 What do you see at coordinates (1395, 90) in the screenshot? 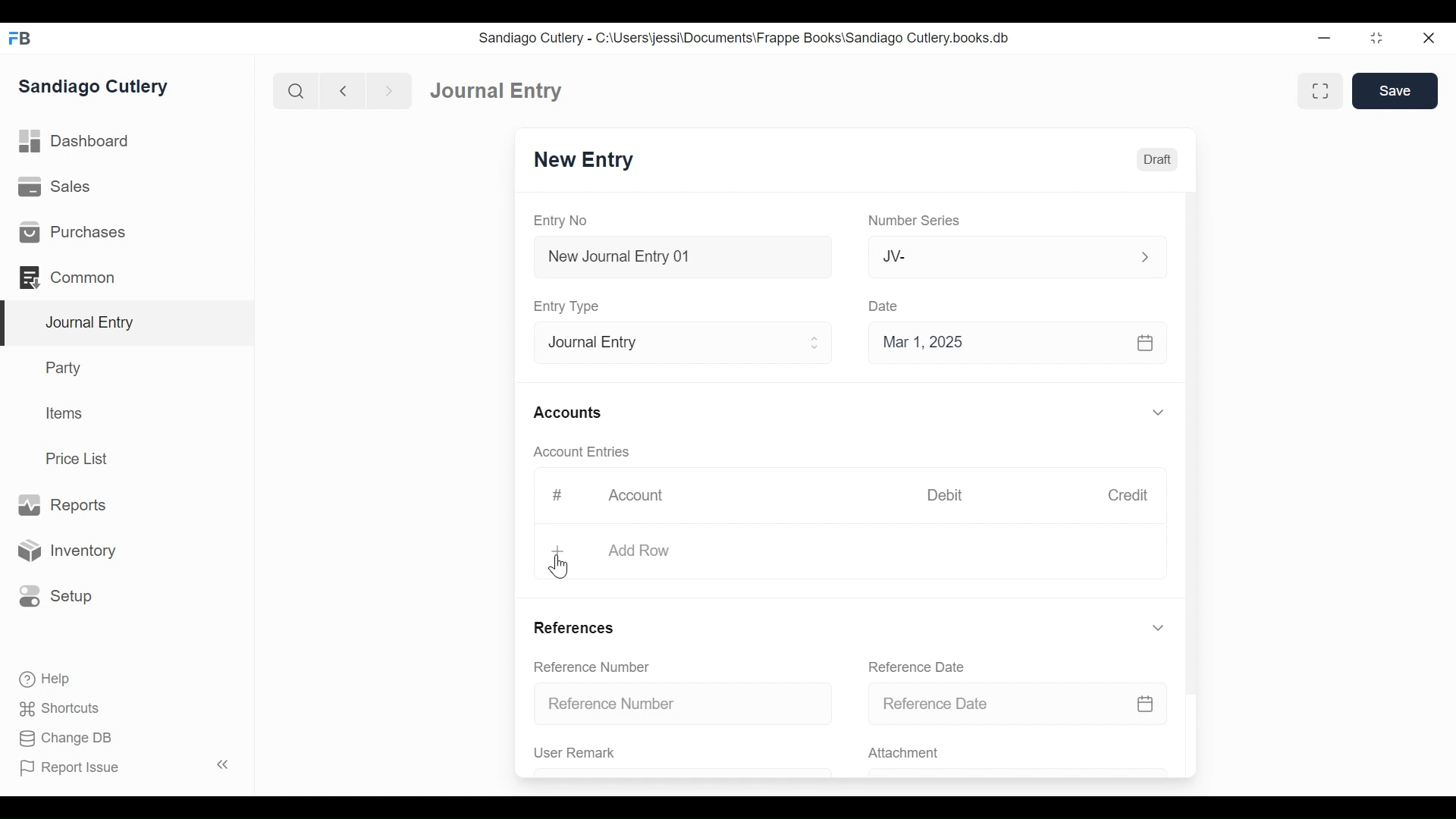
I see `Save` at bounding box center [1395, 90].